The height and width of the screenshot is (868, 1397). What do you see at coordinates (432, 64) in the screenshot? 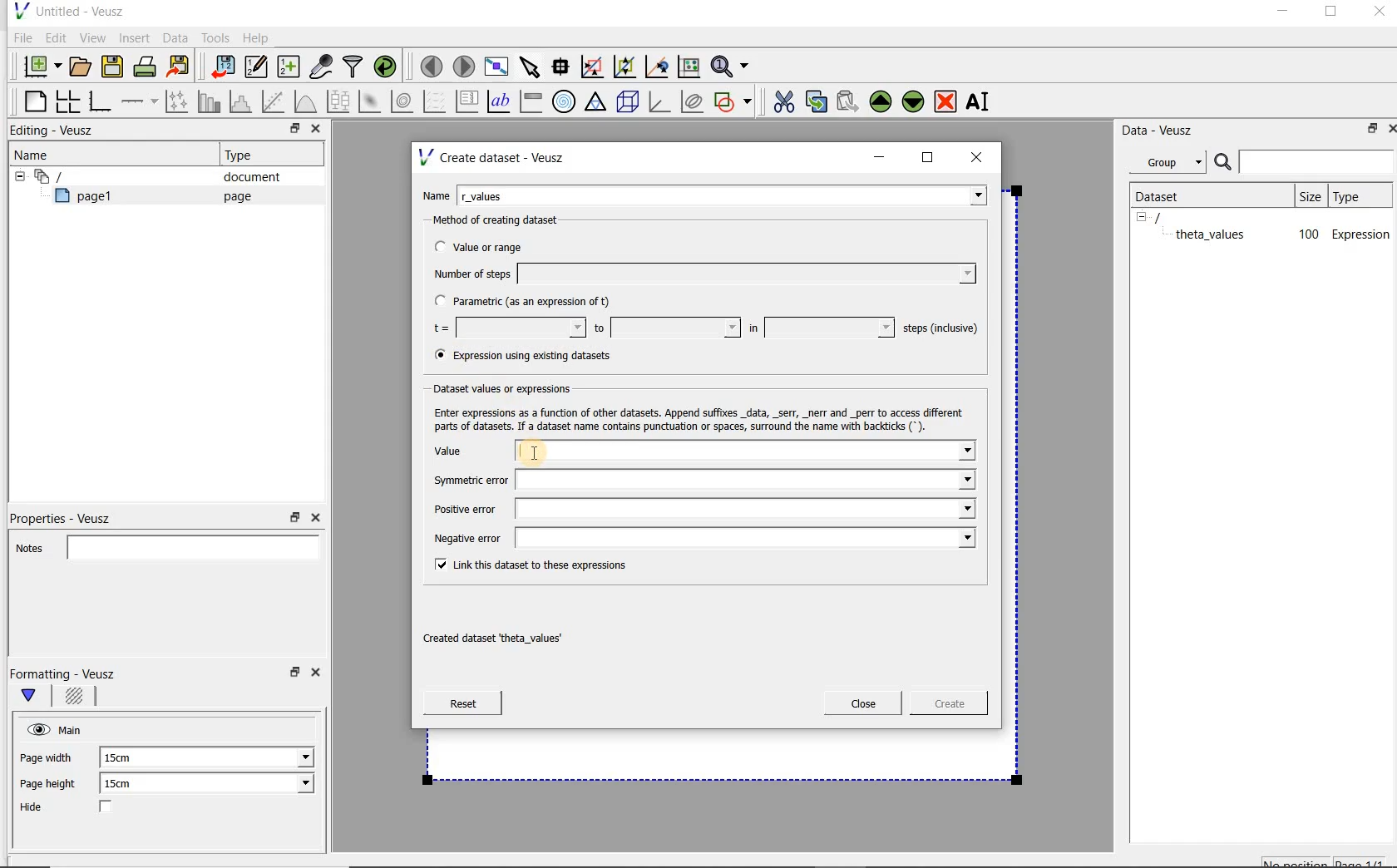
I see `move to the previous page` at bounding box center [432, 64].